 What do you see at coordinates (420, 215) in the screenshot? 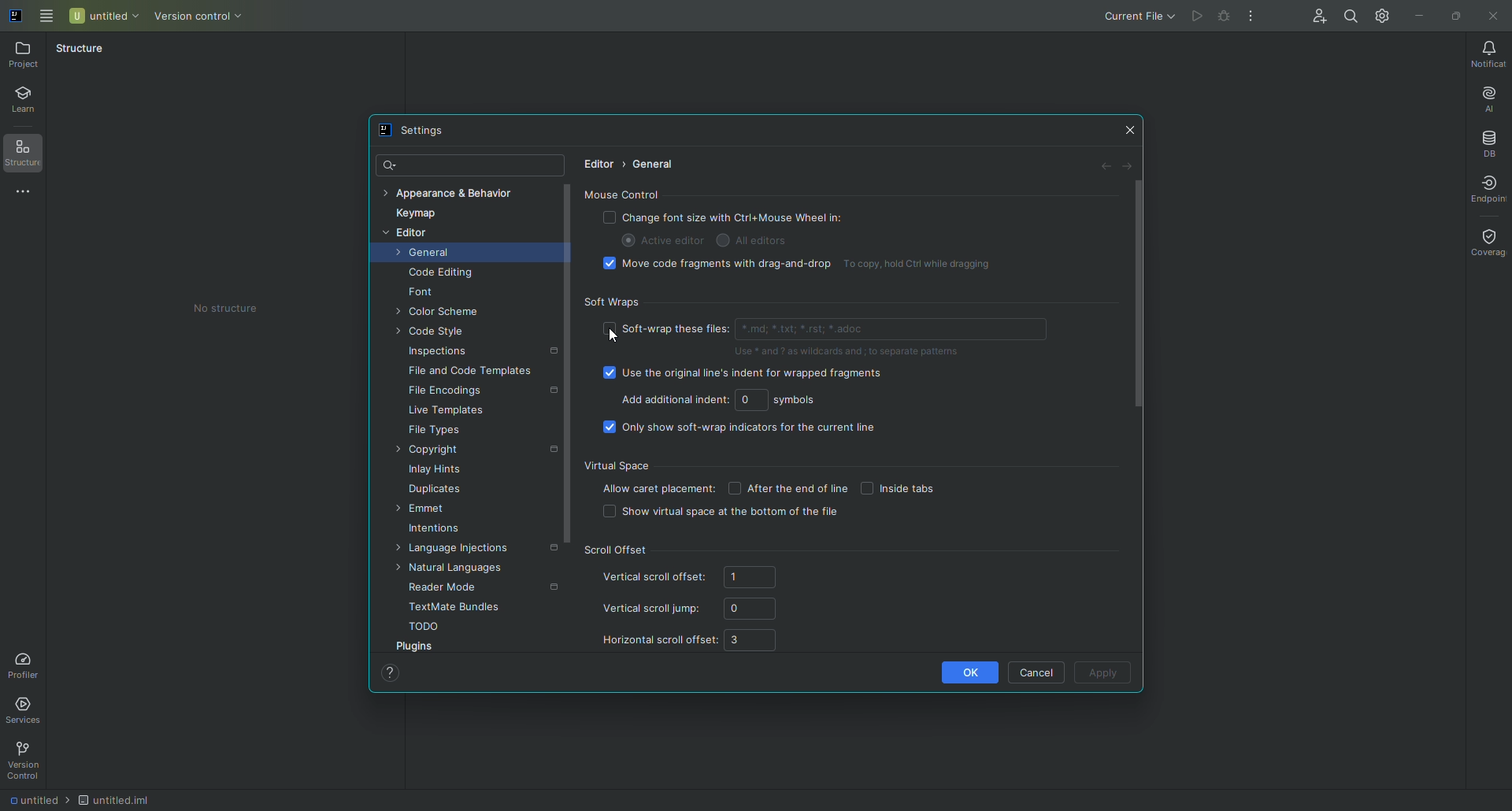
I see `Keymap` at bounding box center [420, 215].